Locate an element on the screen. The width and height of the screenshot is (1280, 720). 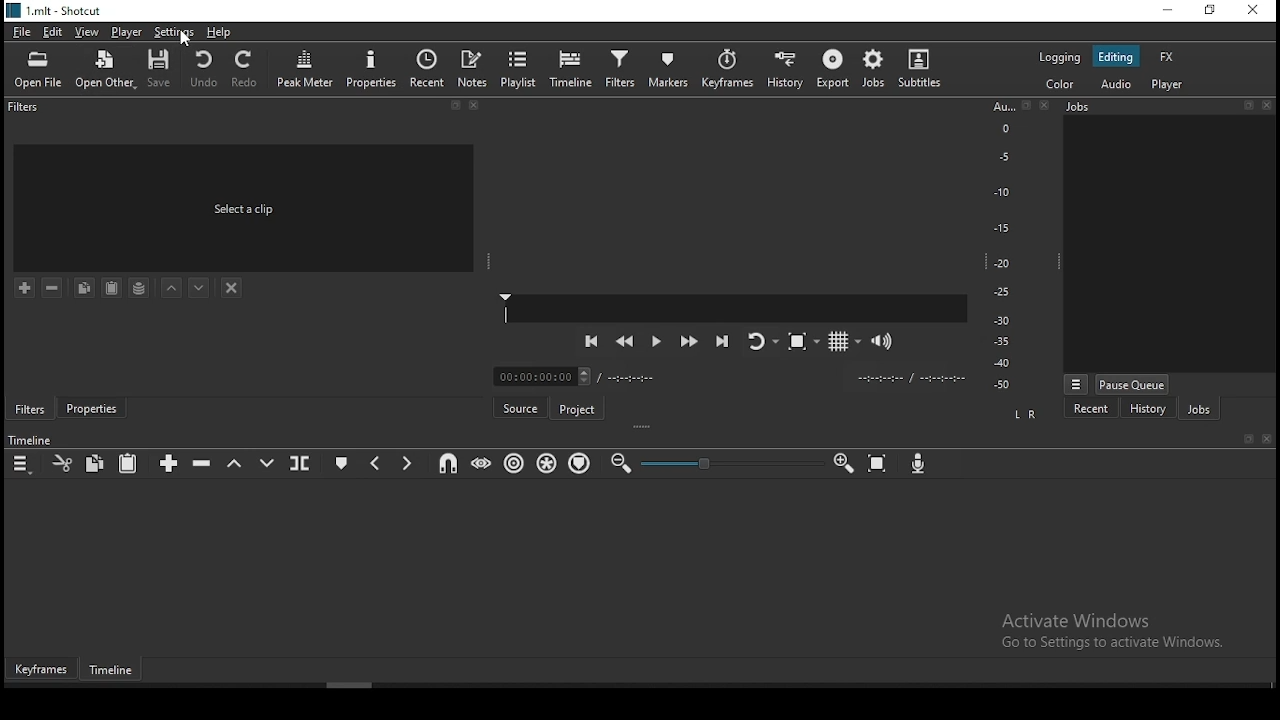
view is located at coordinates (89, 33).